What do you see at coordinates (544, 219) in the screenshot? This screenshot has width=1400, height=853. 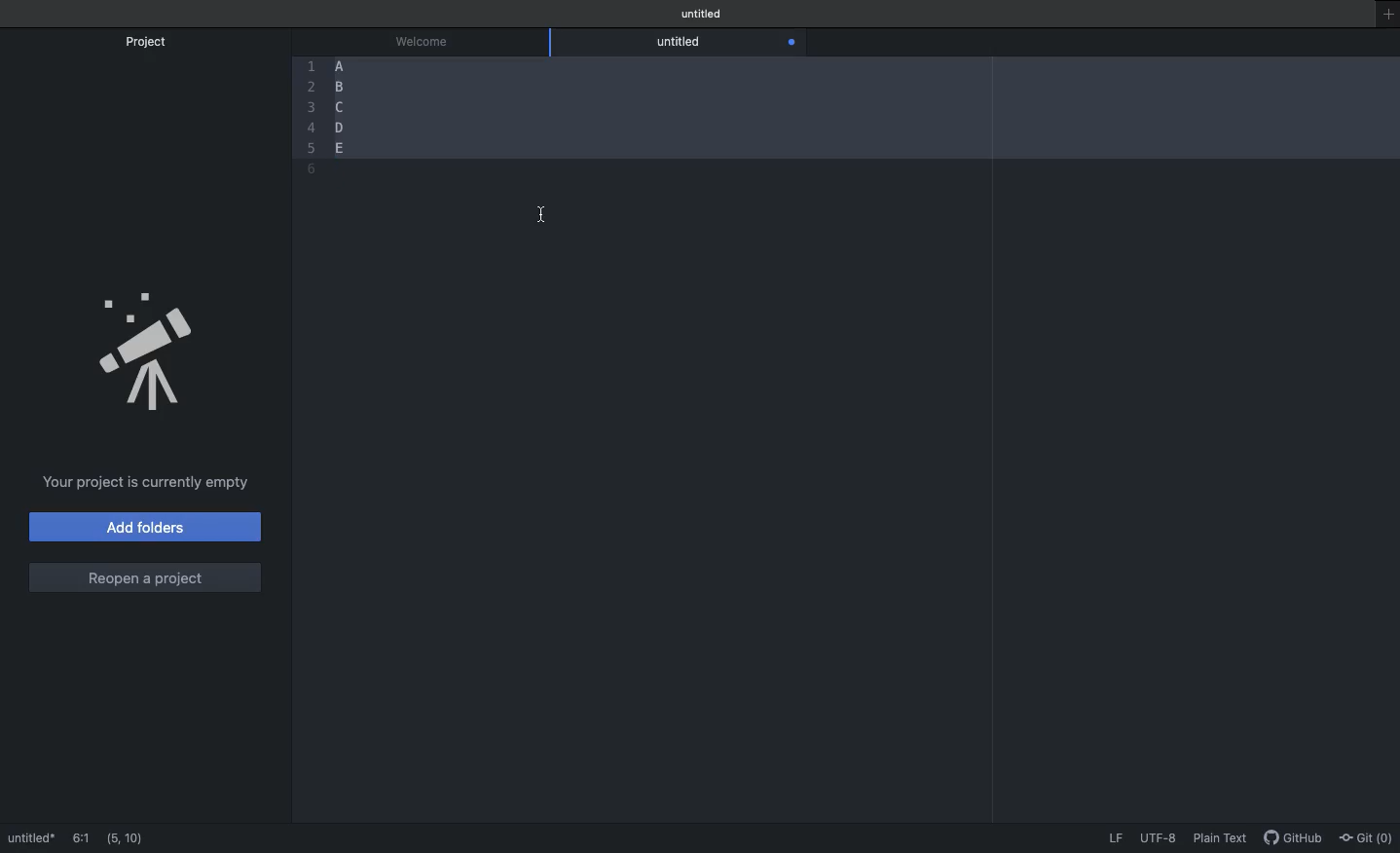 I see `cursor` at bounding box center [544, 219].